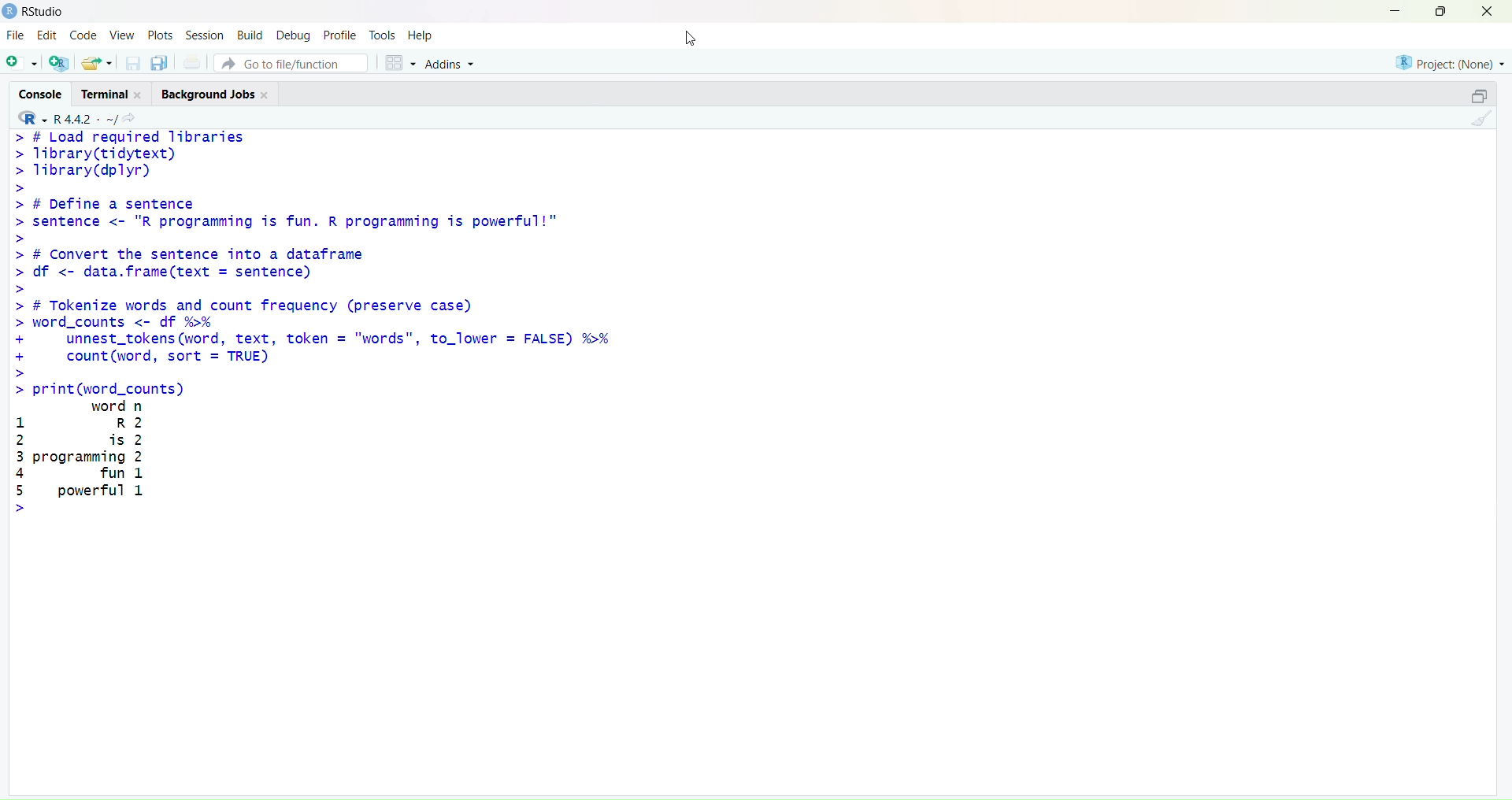 This screenshot has width=1512, height=800. I want to click on > print(word_count), so click(106, 388).